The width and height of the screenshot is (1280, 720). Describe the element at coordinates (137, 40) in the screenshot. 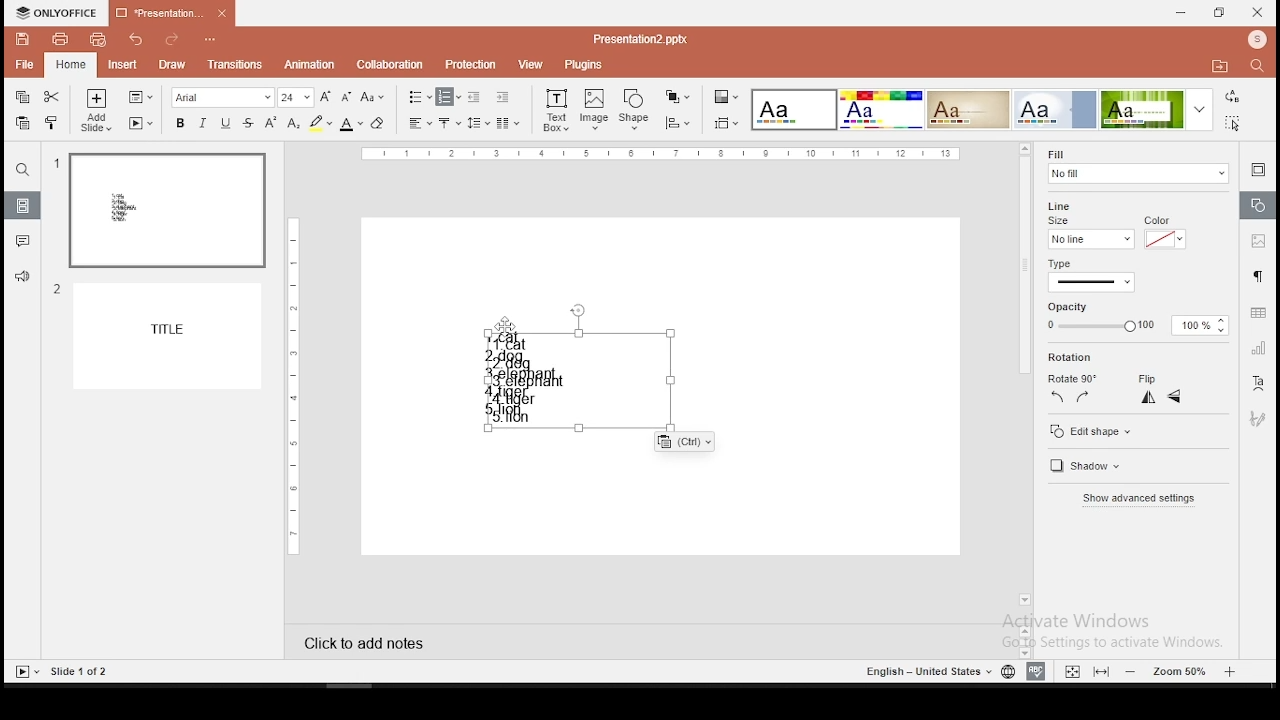

I see `undo` at that location.